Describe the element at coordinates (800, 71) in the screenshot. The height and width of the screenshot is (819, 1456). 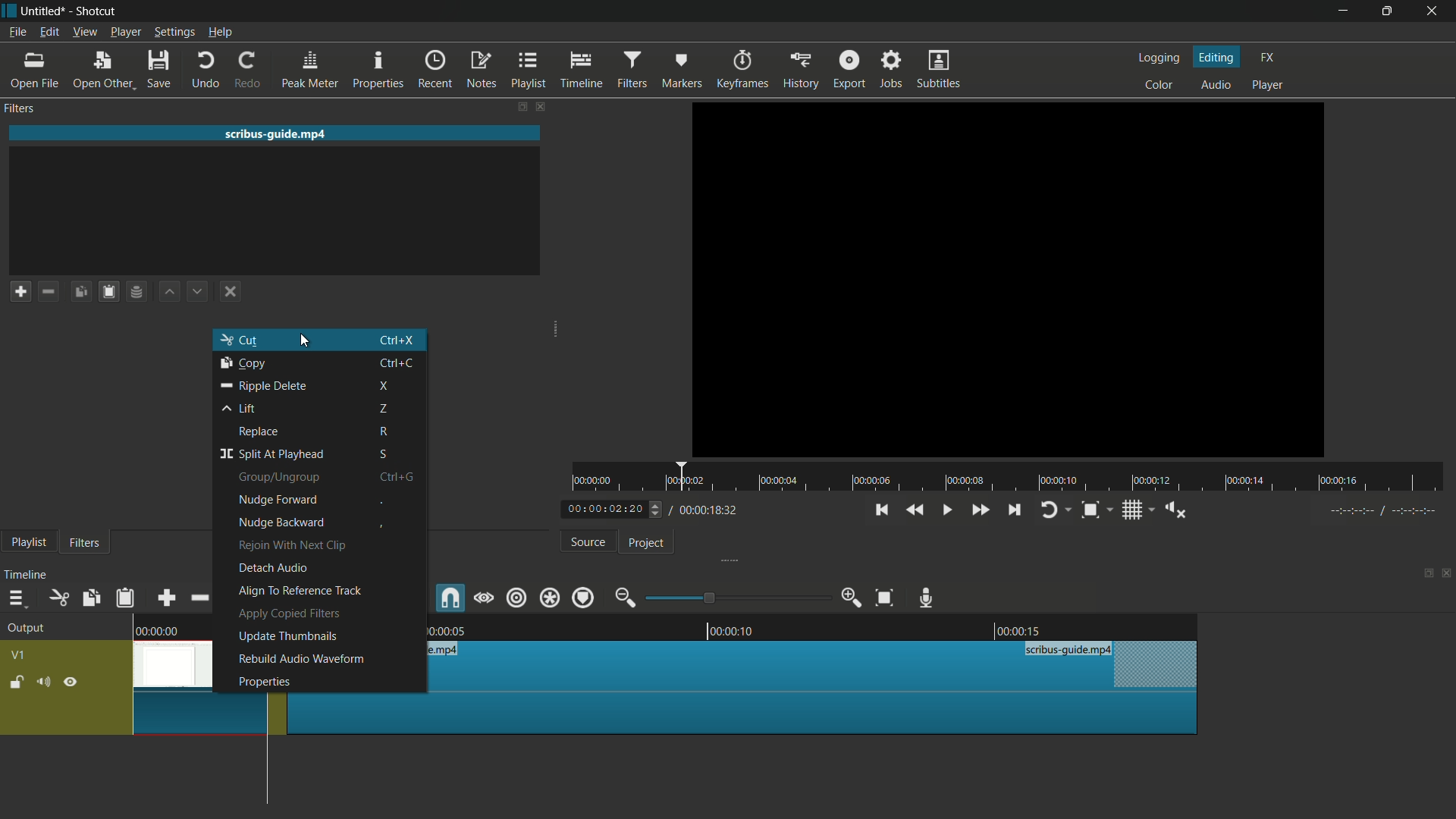
I see `history` at that location.